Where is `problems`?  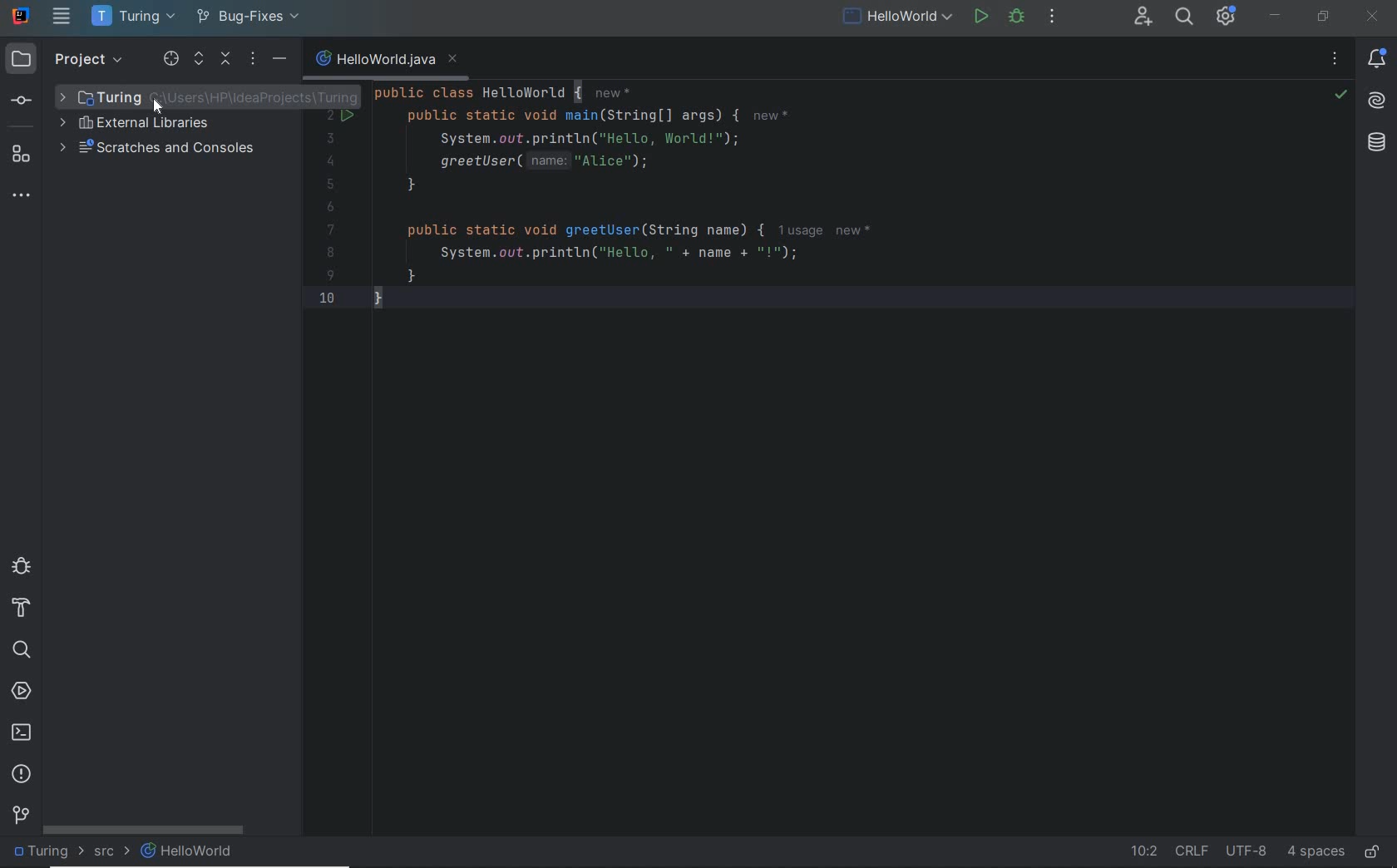 problems is located at coordinates (22, 773).